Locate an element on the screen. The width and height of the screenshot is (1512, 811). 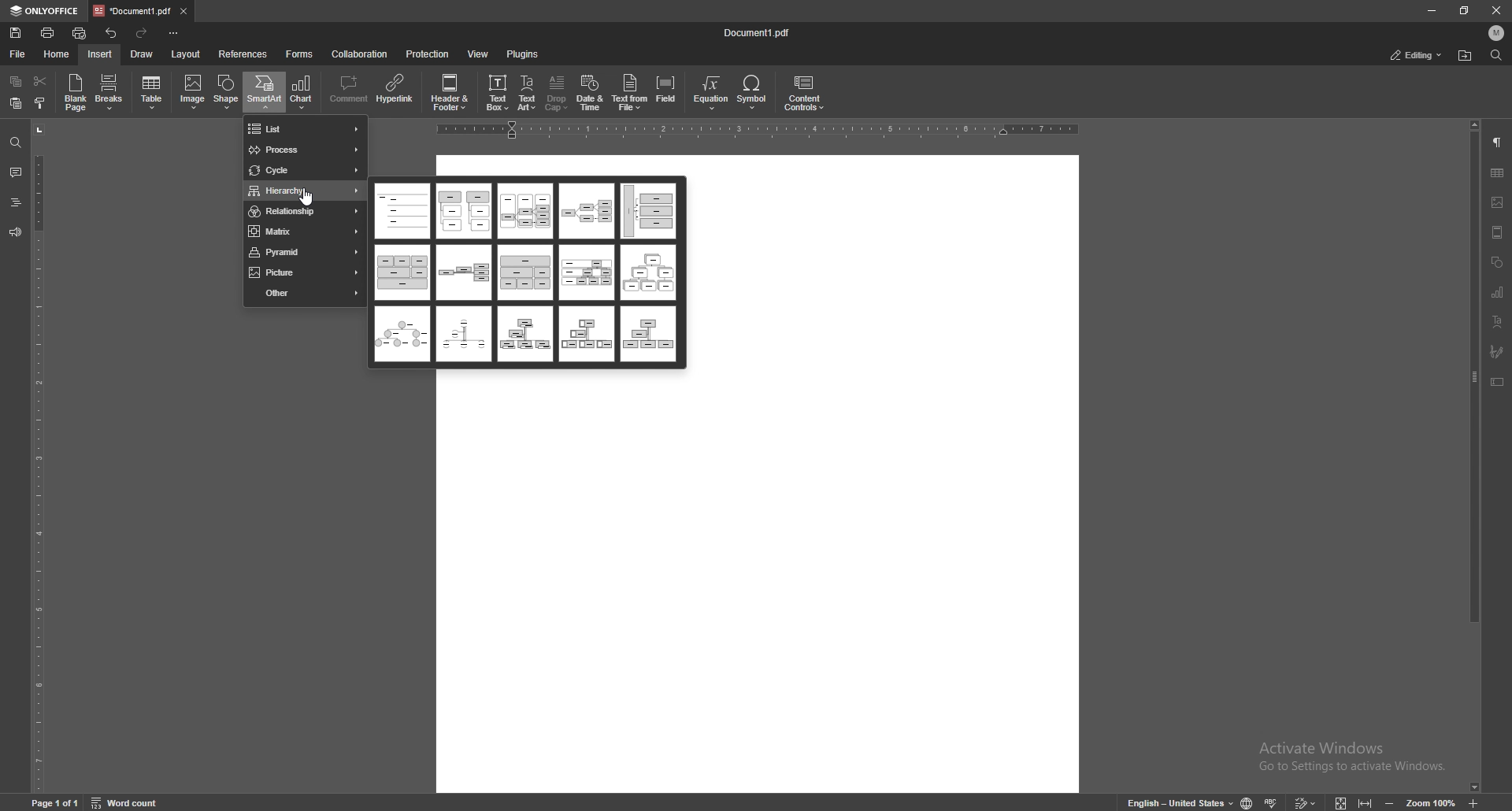
close tab is located at coordinates (185, 10).